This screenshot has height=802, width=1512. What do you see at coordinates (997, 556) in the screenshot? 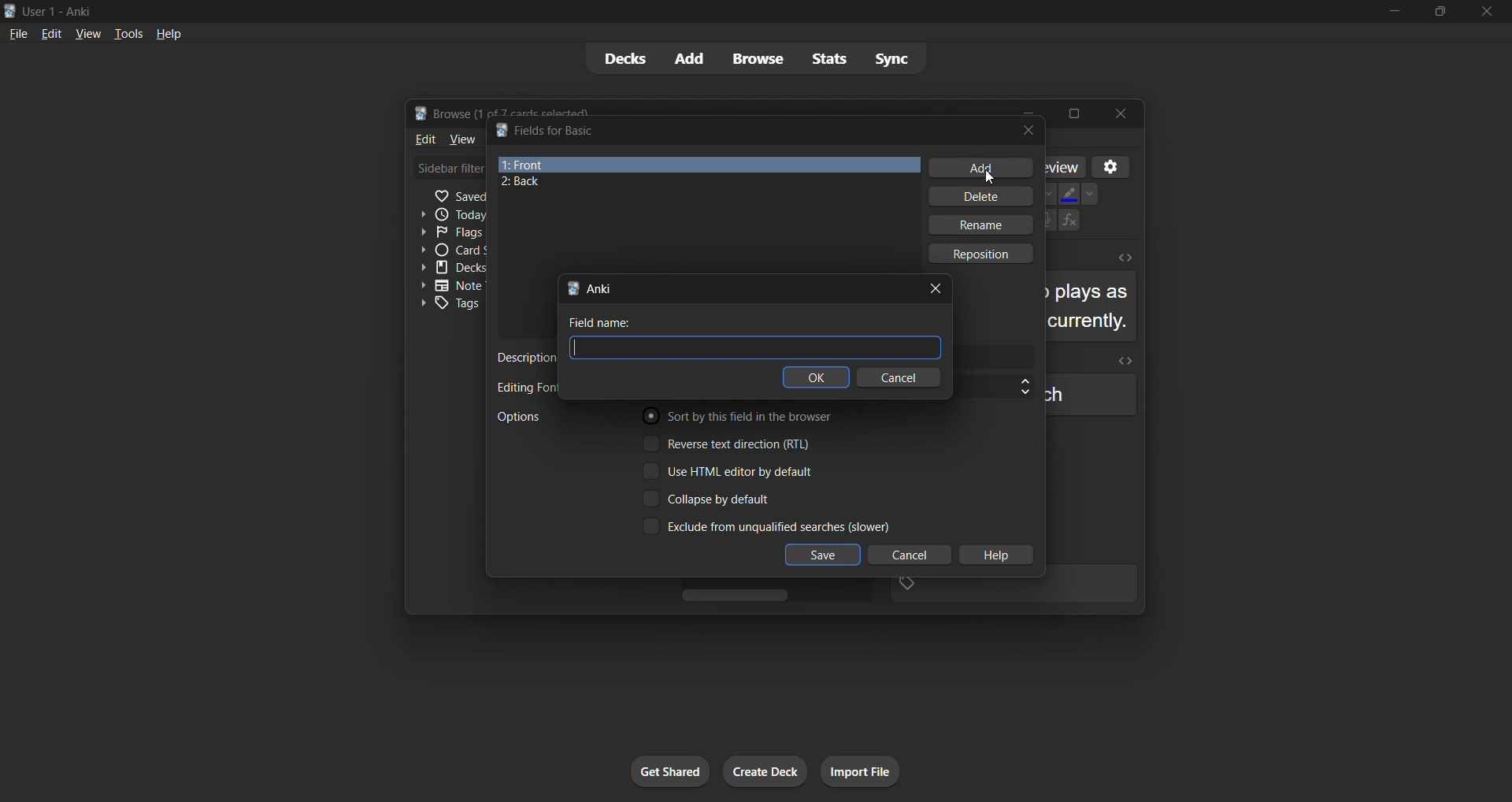
I see `help` at bounding box center [997, 556].